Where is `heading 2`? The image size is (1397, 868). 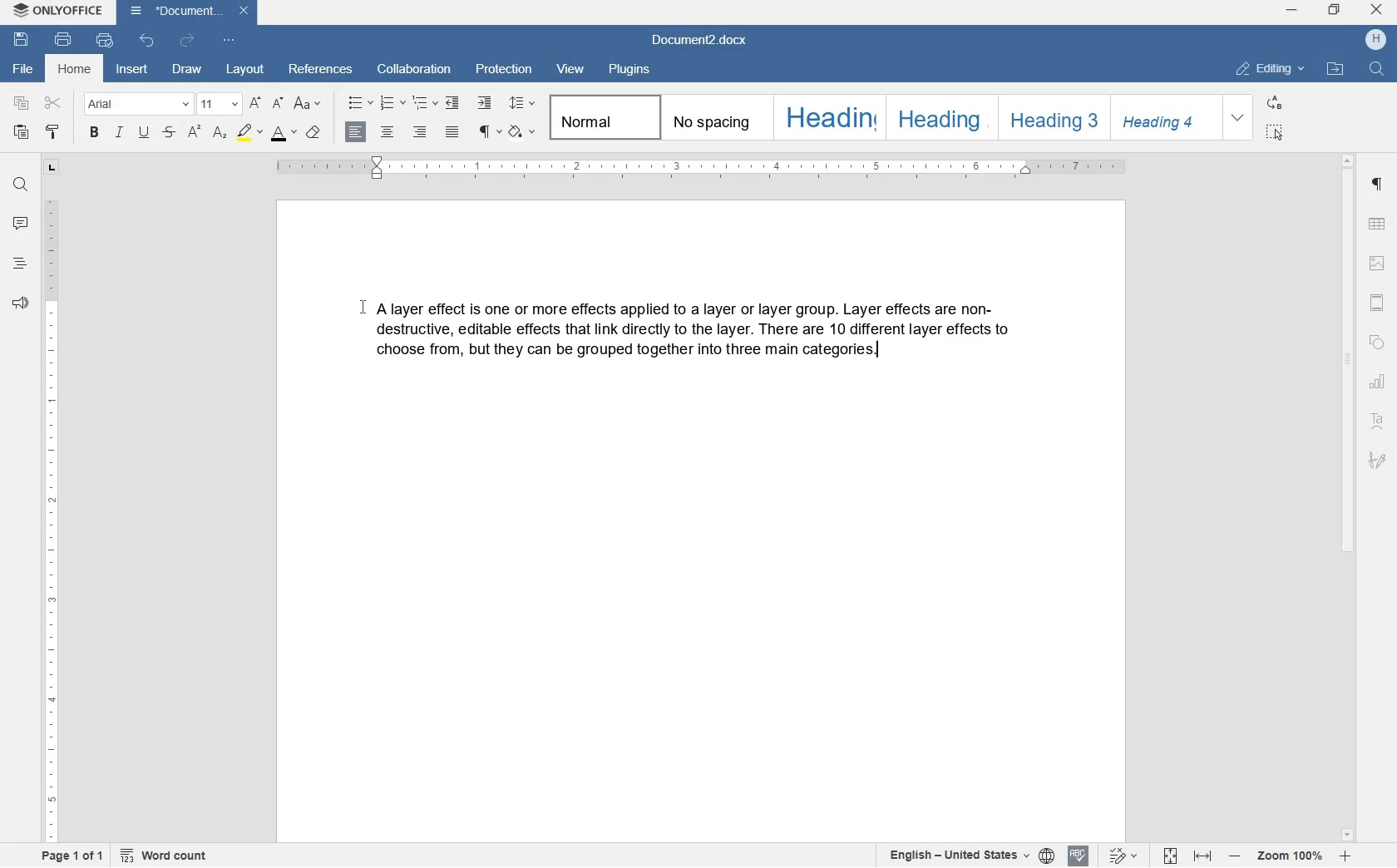 heading 2 is located at coordinates (940, 117).